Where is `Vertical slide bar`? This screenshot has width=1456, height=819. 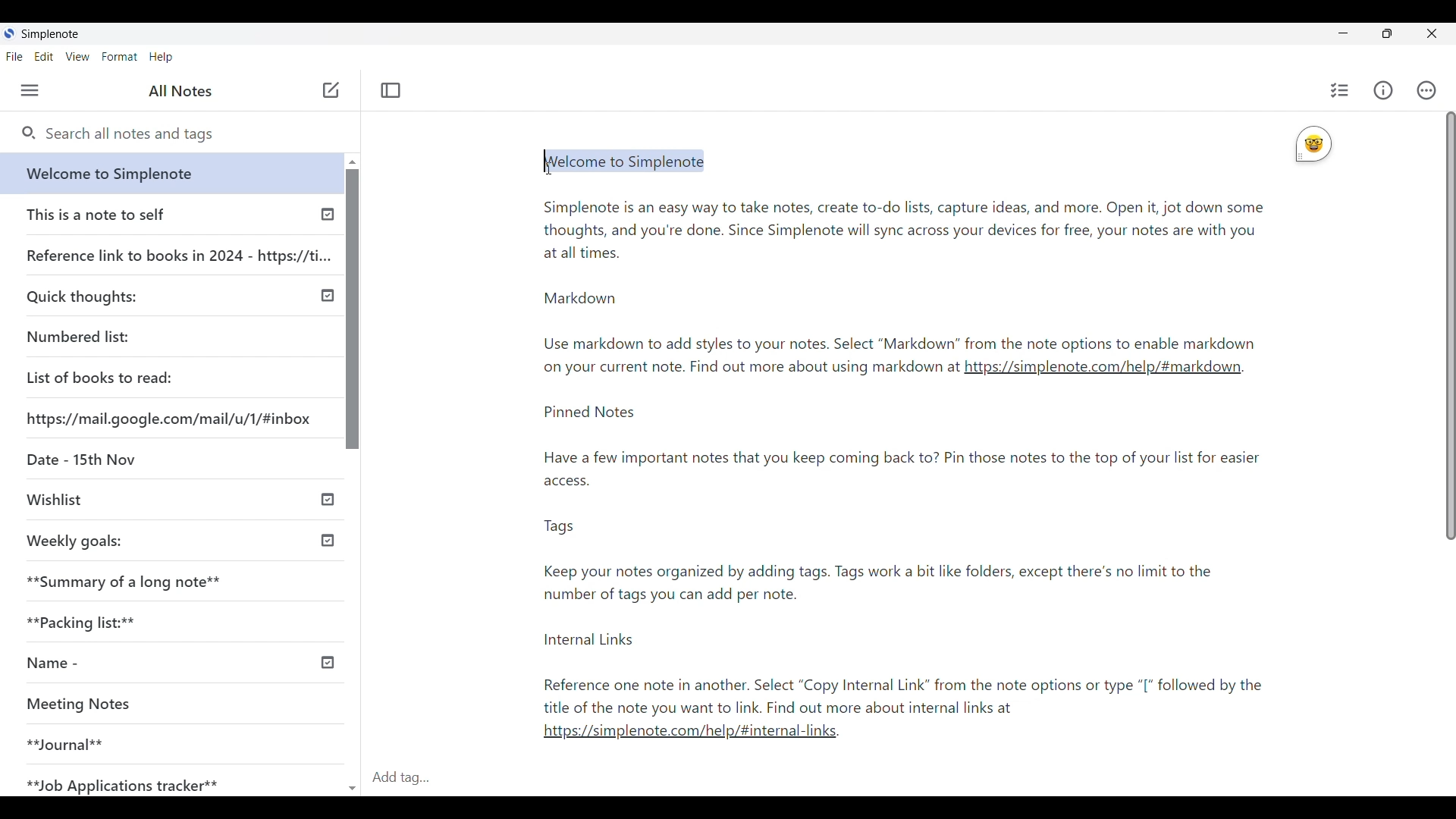
Vertical slide bar is located at coordinates (1450, 328).